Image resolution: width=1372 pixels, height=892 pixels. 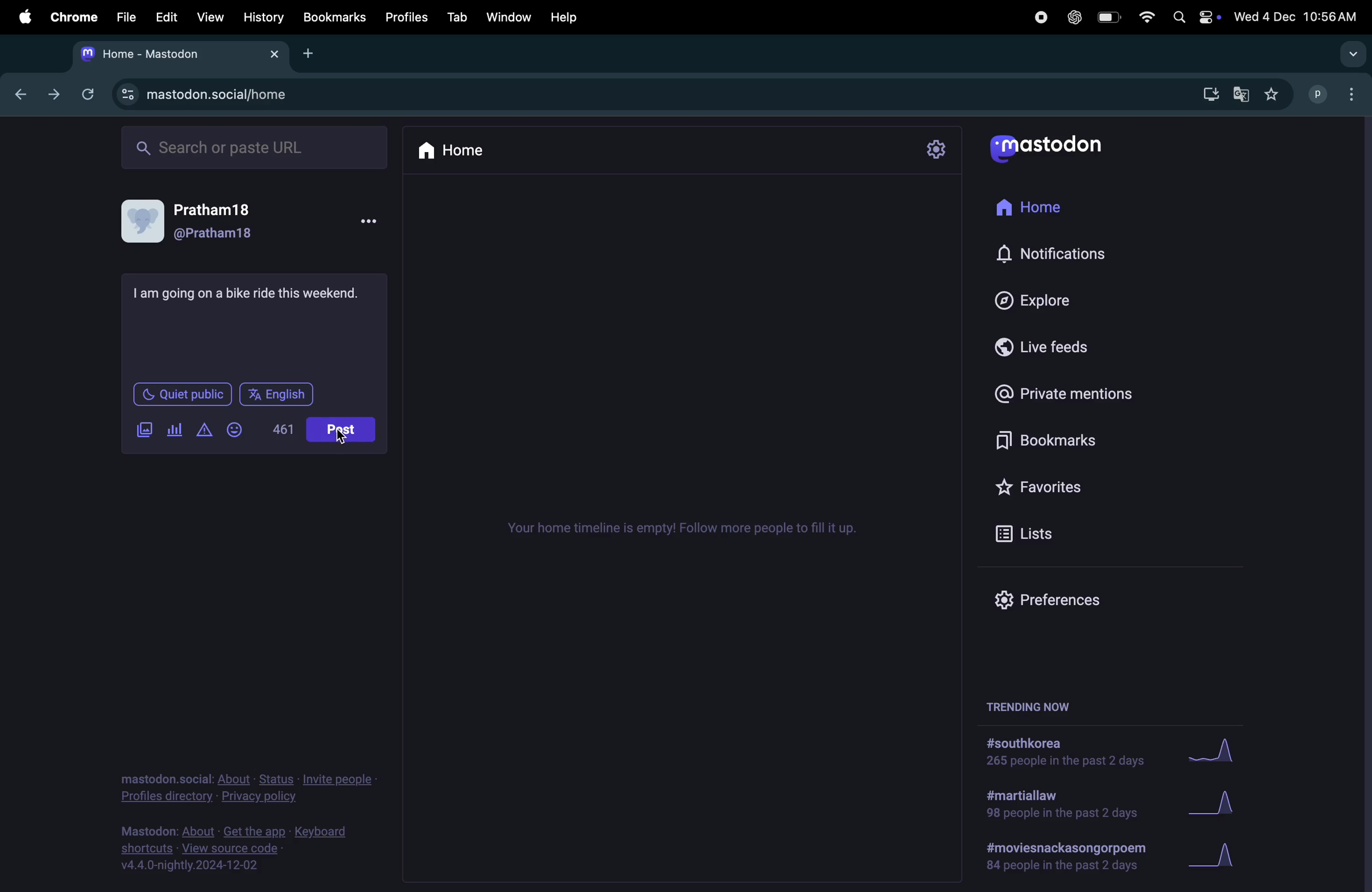 What do you see at coordinates (1058, 599) in the screenshot?
I see `Prefrences` at bounding box center [1058, 599].